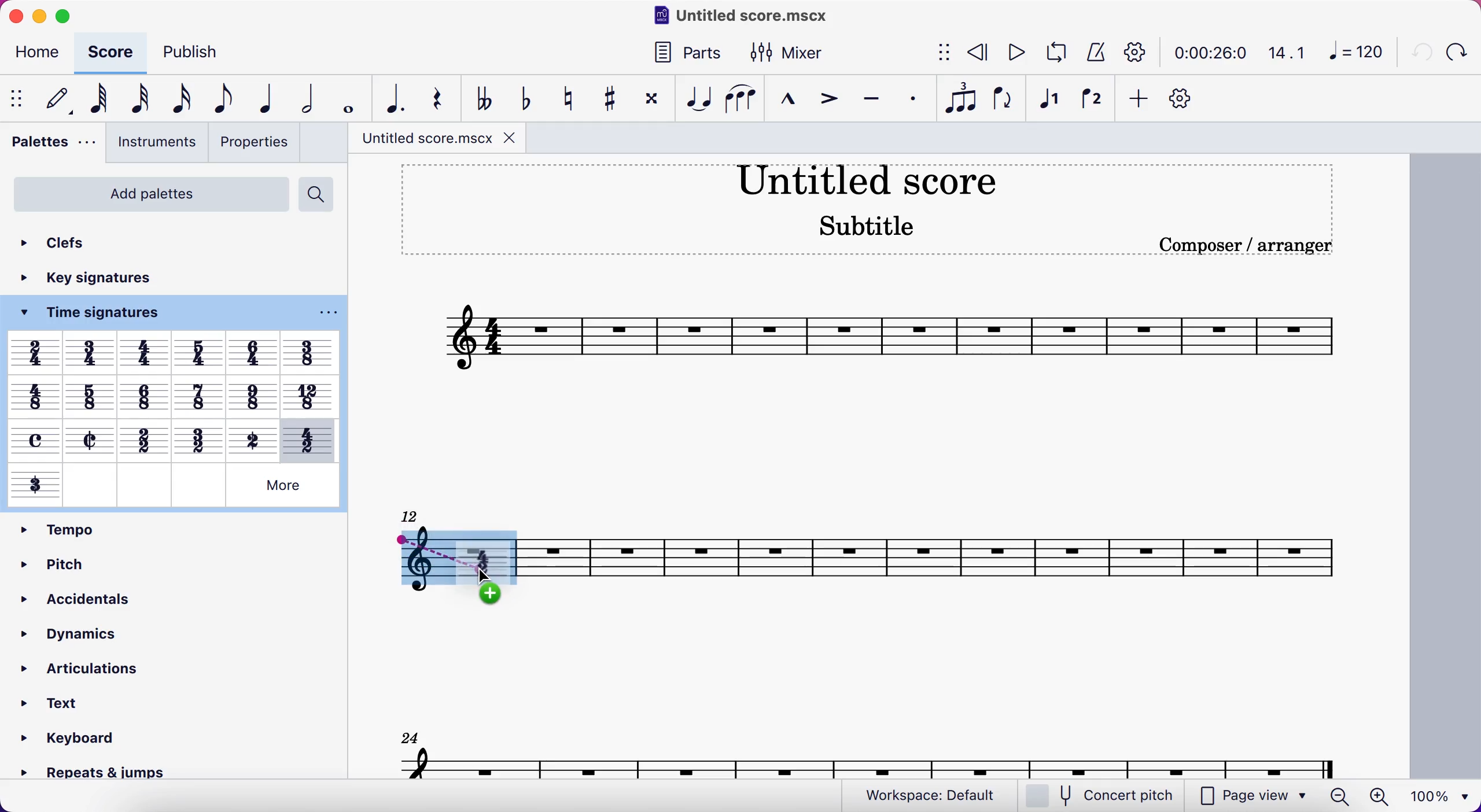 The height and width of the screenshot is (812, 1481). Describe the element at coordinates (178, 98) in the screenshot. I see `16th note` at that location.